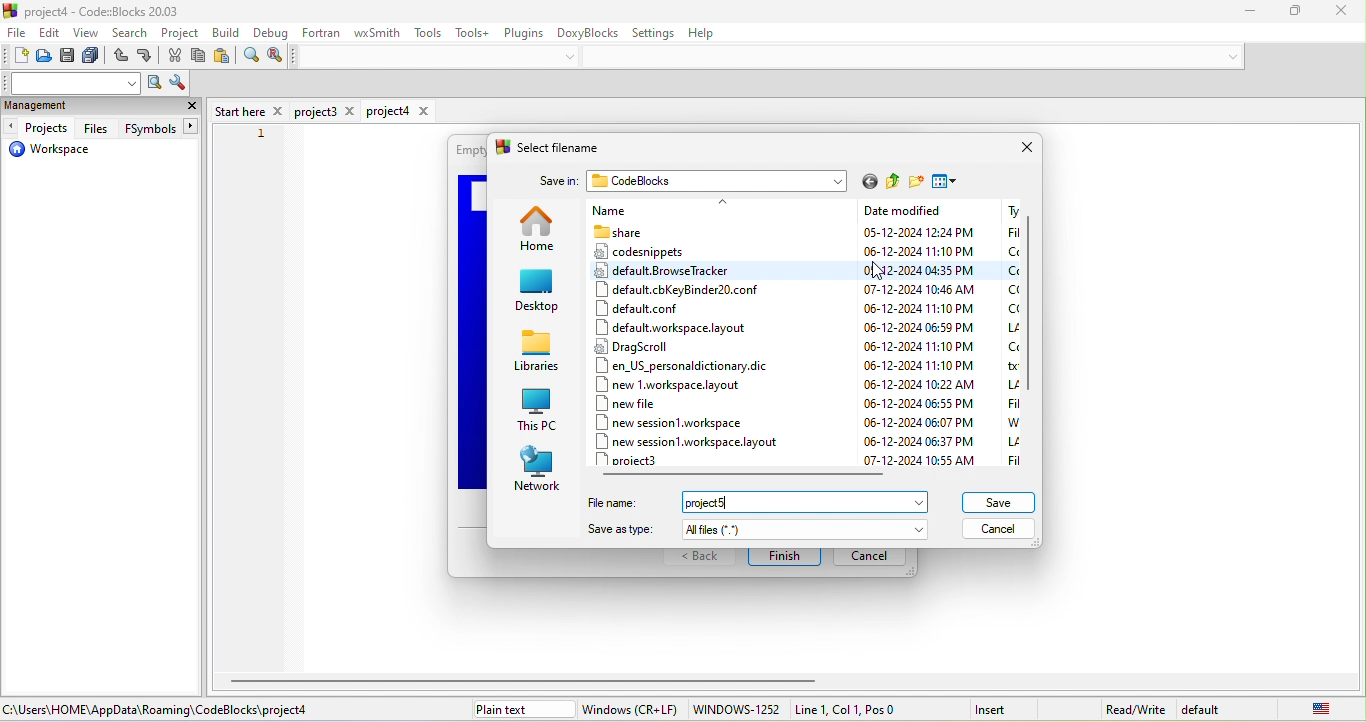  I want to click on tools+, so click(471, 32).